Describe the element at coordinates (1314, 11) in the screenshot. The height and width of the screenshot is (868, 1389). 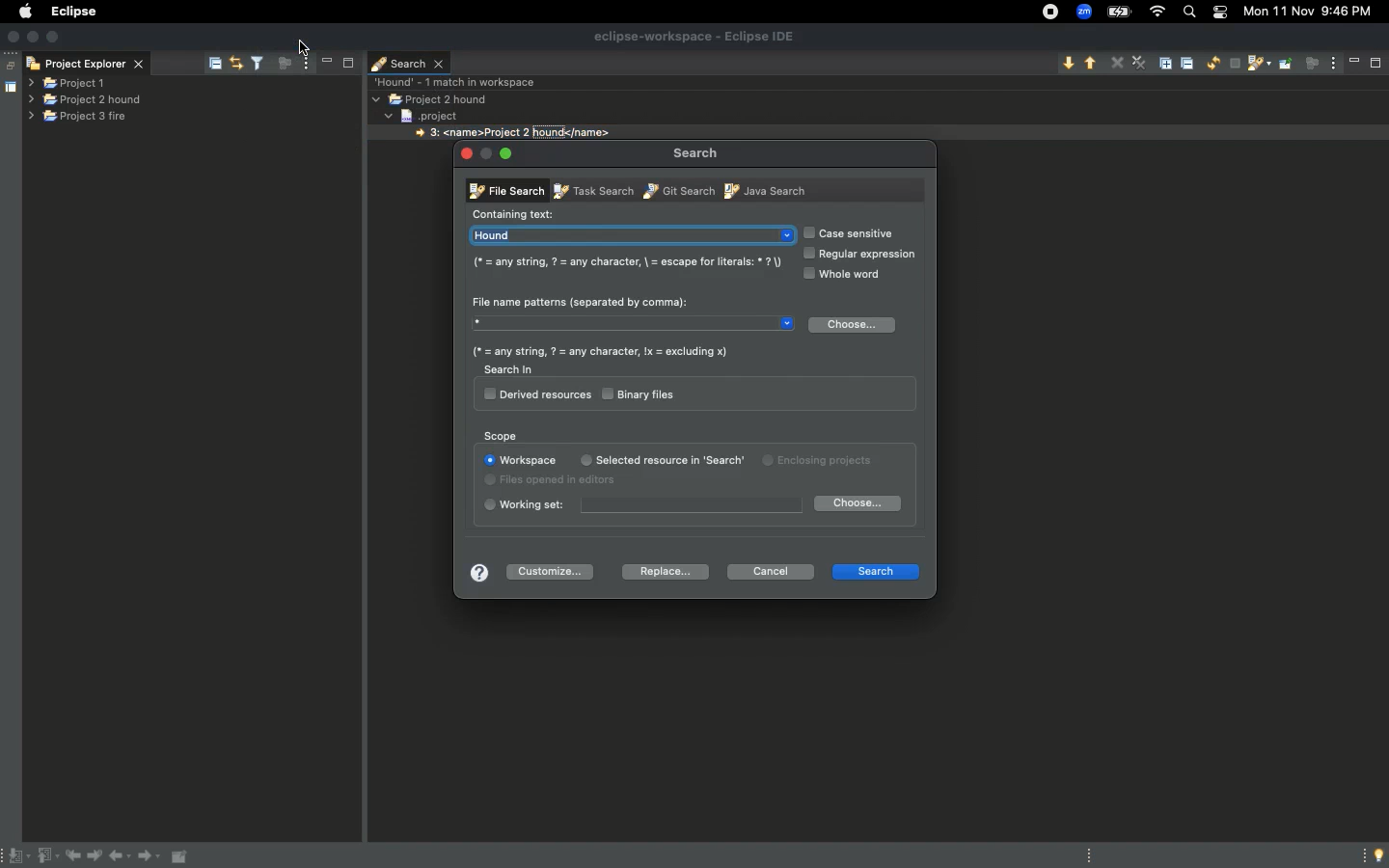
I see `Mon 11 Nov 9:45 PM` at that location.